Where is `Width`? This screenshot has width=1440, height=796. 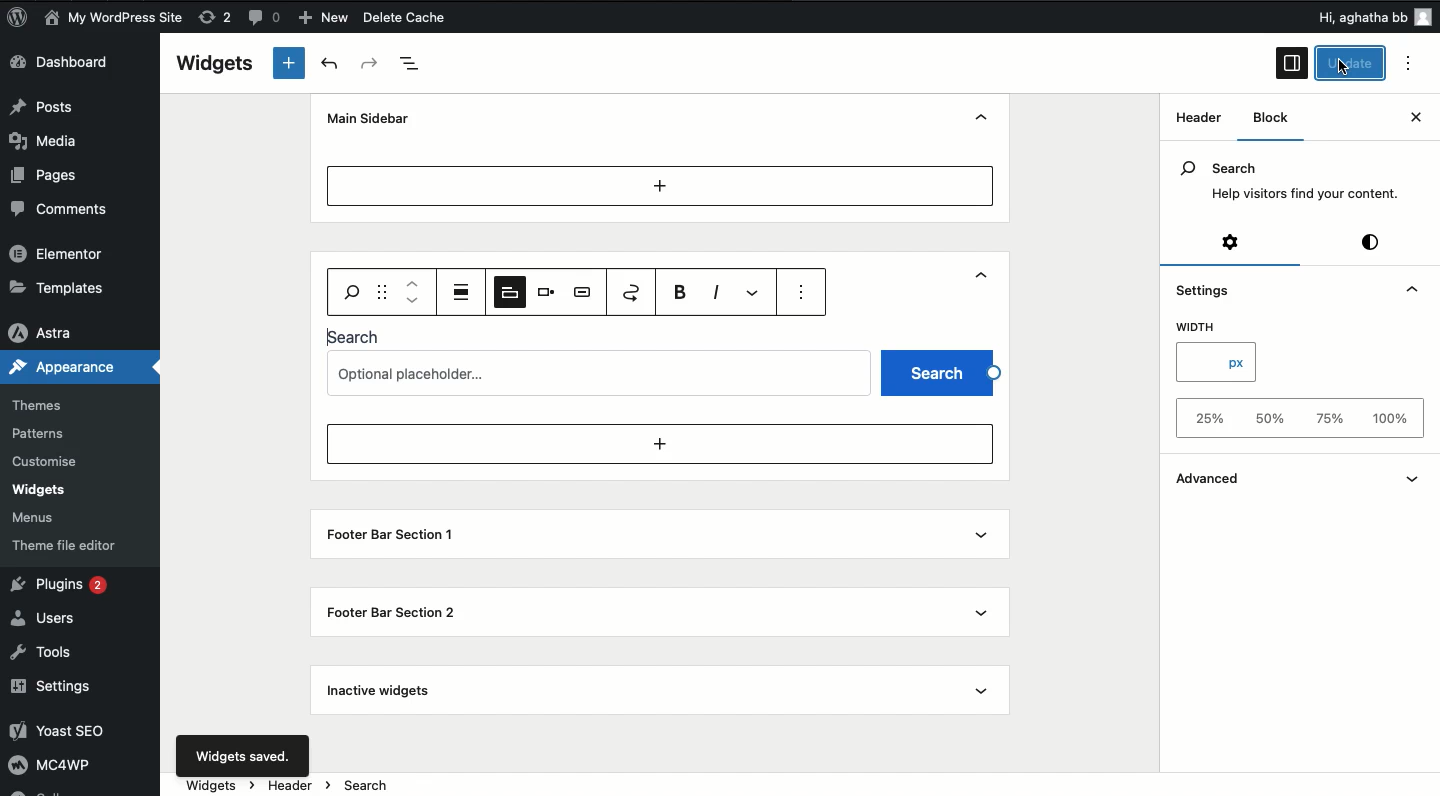
Width is located at coordinates (1201, 328).